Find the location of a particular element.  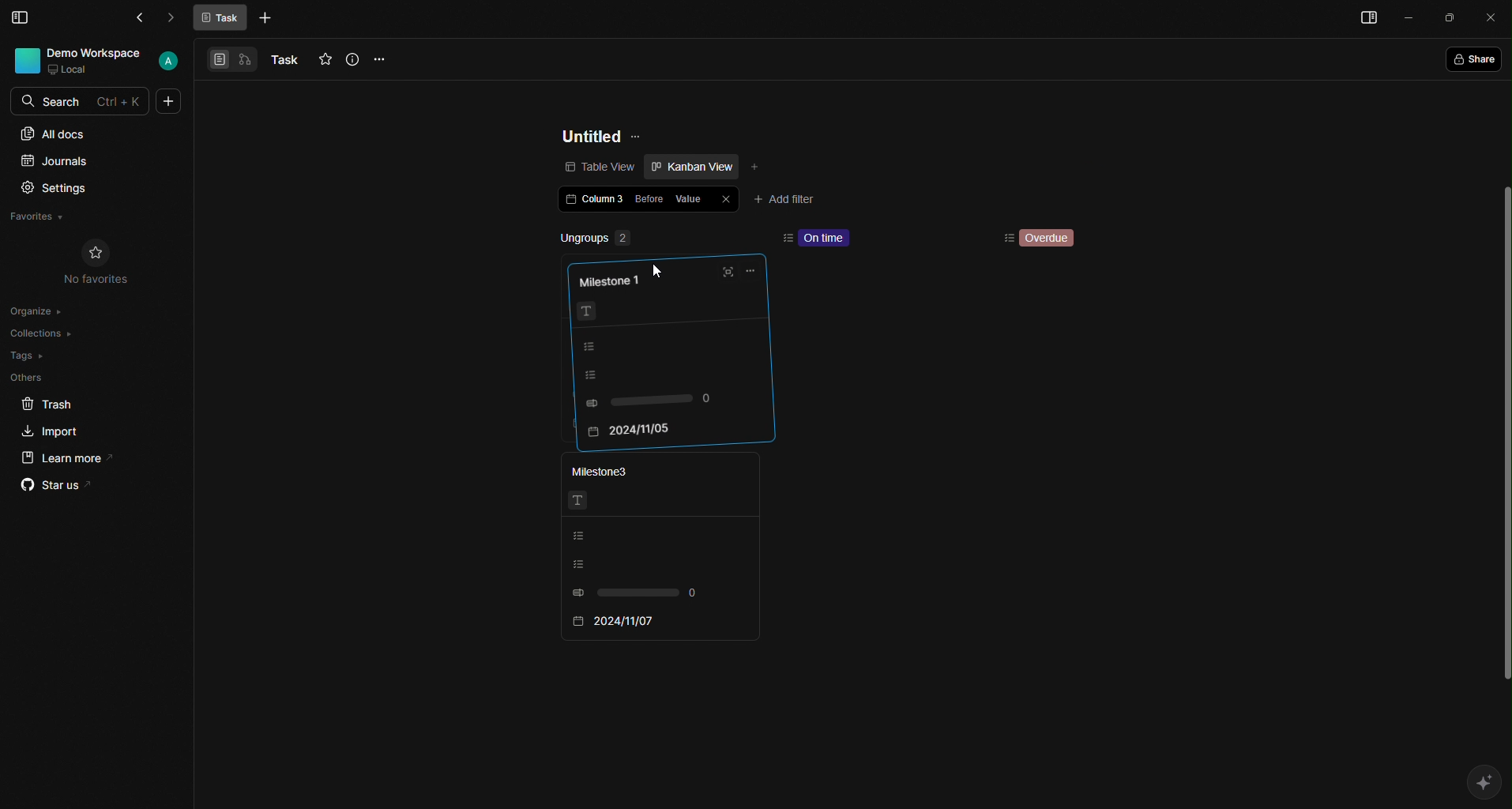

Learn more is located at coordinates (73, 457).